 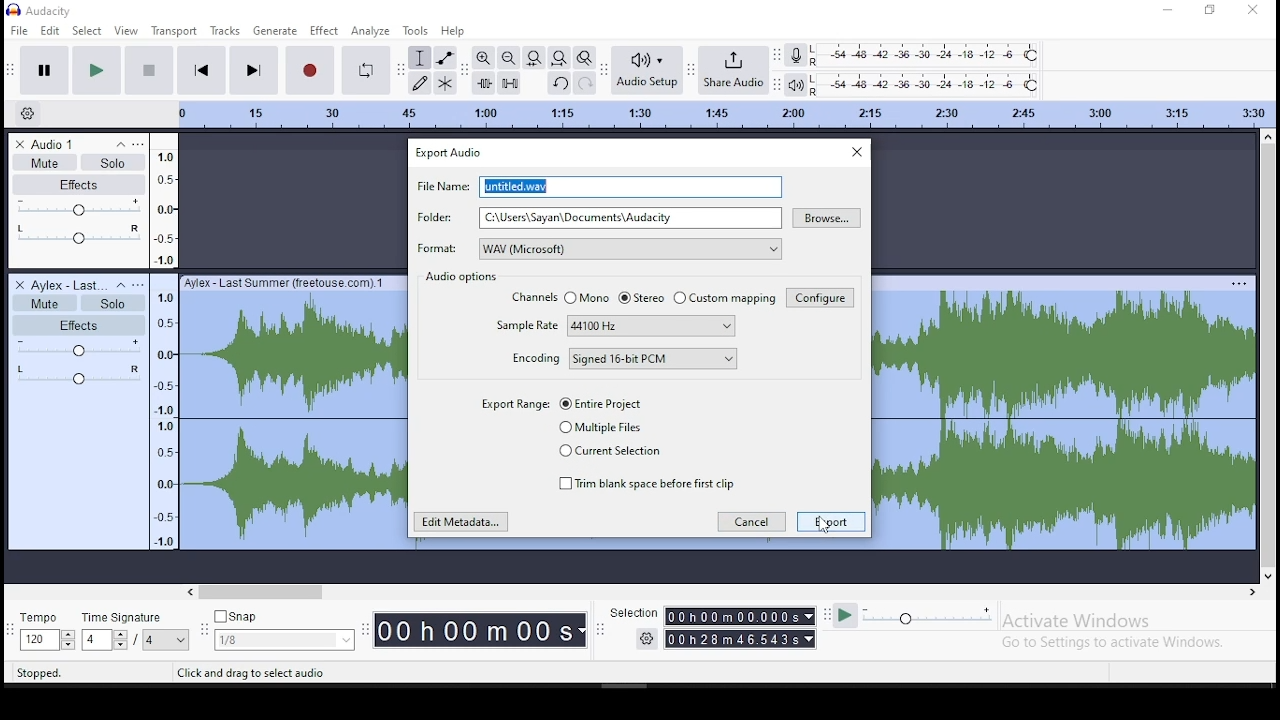 What do you see at coordinates (925, 54) in the screenshot?
I see `recording level` at bounding box center [925, 54].